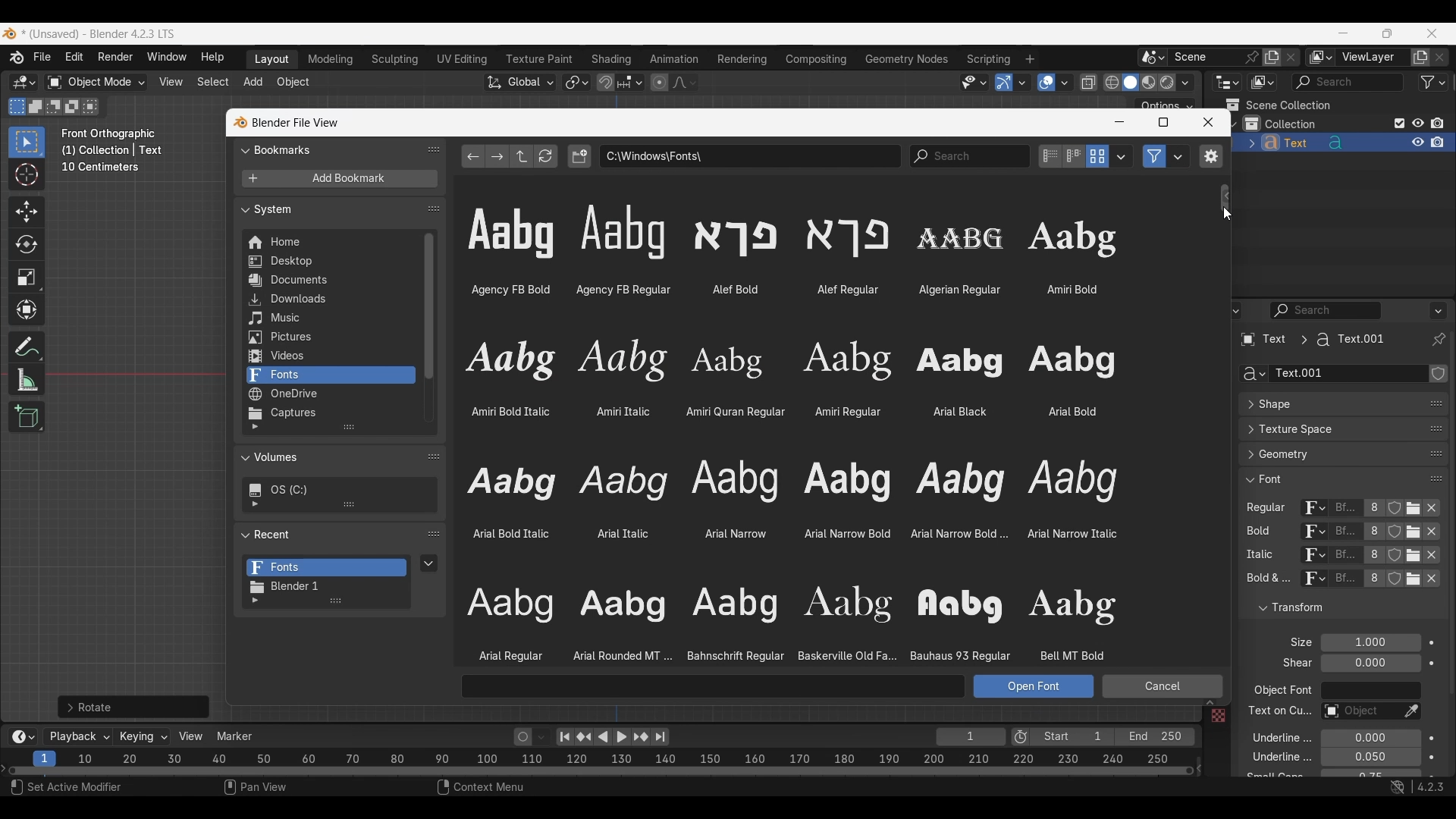 This screenshot has height=819, width=1456. I want to click on Close interface, so click(1432, 33).